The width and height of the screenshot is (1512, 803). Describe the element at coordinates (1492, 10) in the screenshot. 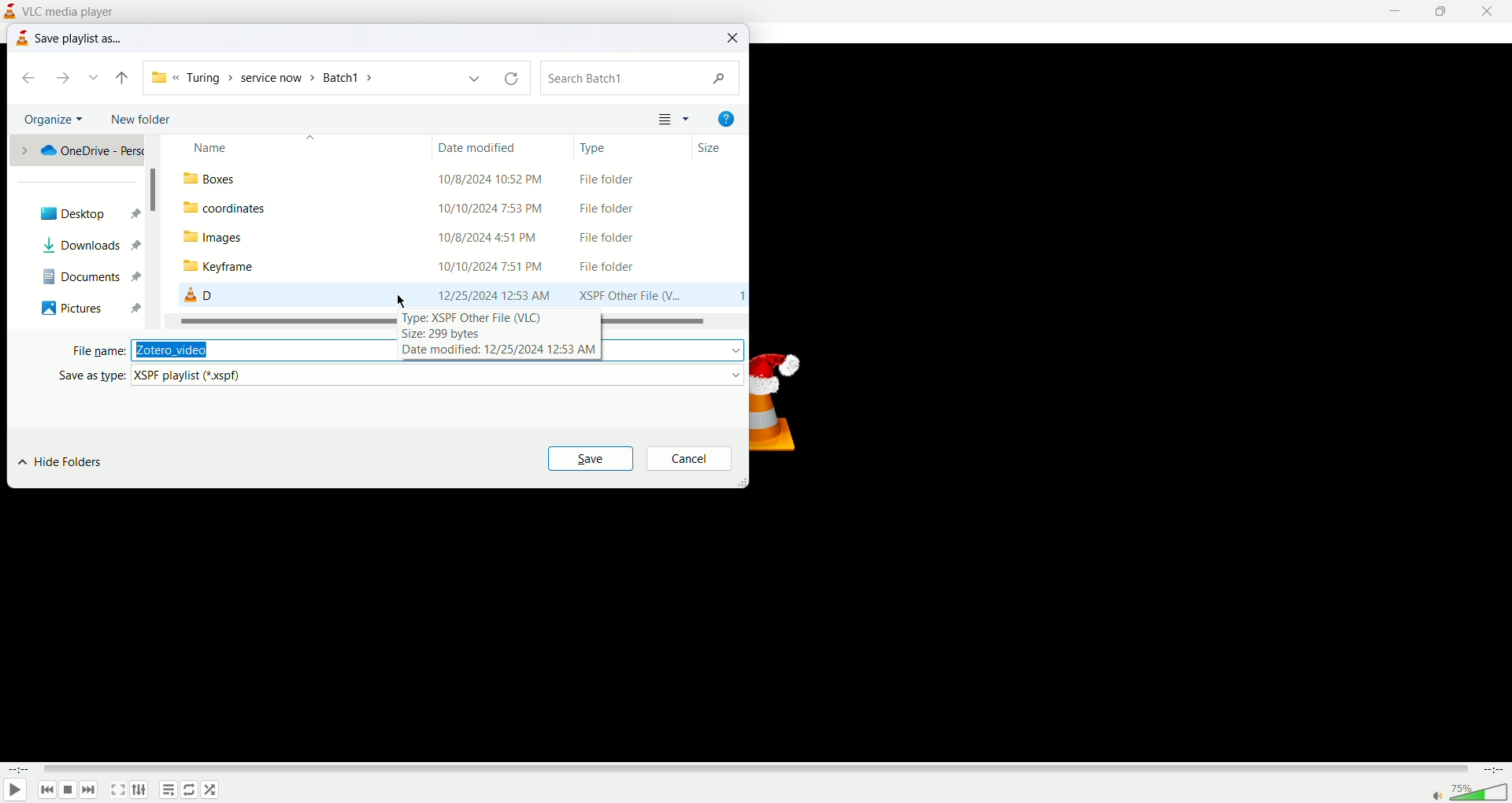

I see `close` at that location.